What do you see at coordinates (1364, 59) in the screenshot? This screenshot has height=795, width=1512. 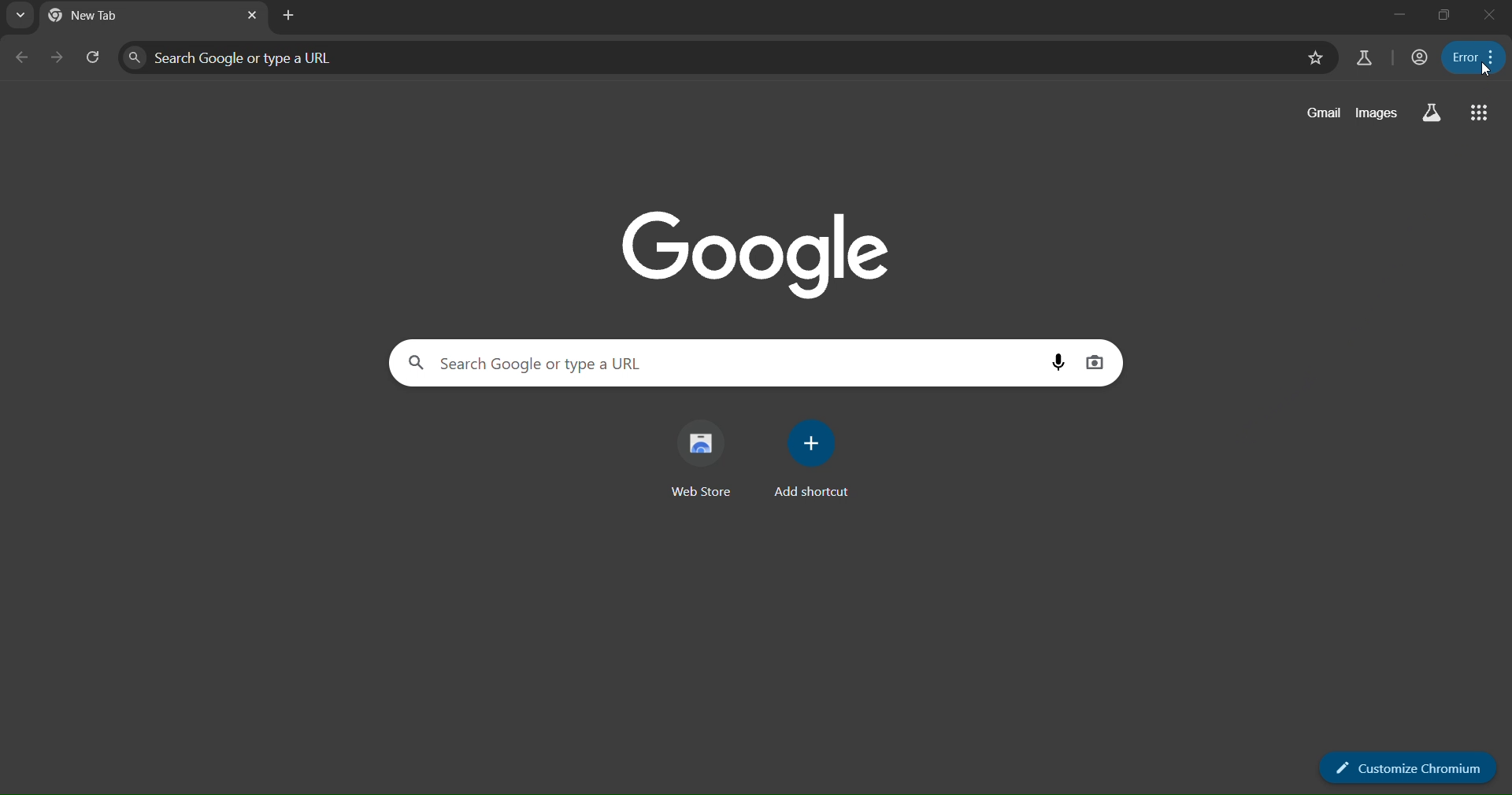 I see `search labs` at bounding box center [1364, 59].